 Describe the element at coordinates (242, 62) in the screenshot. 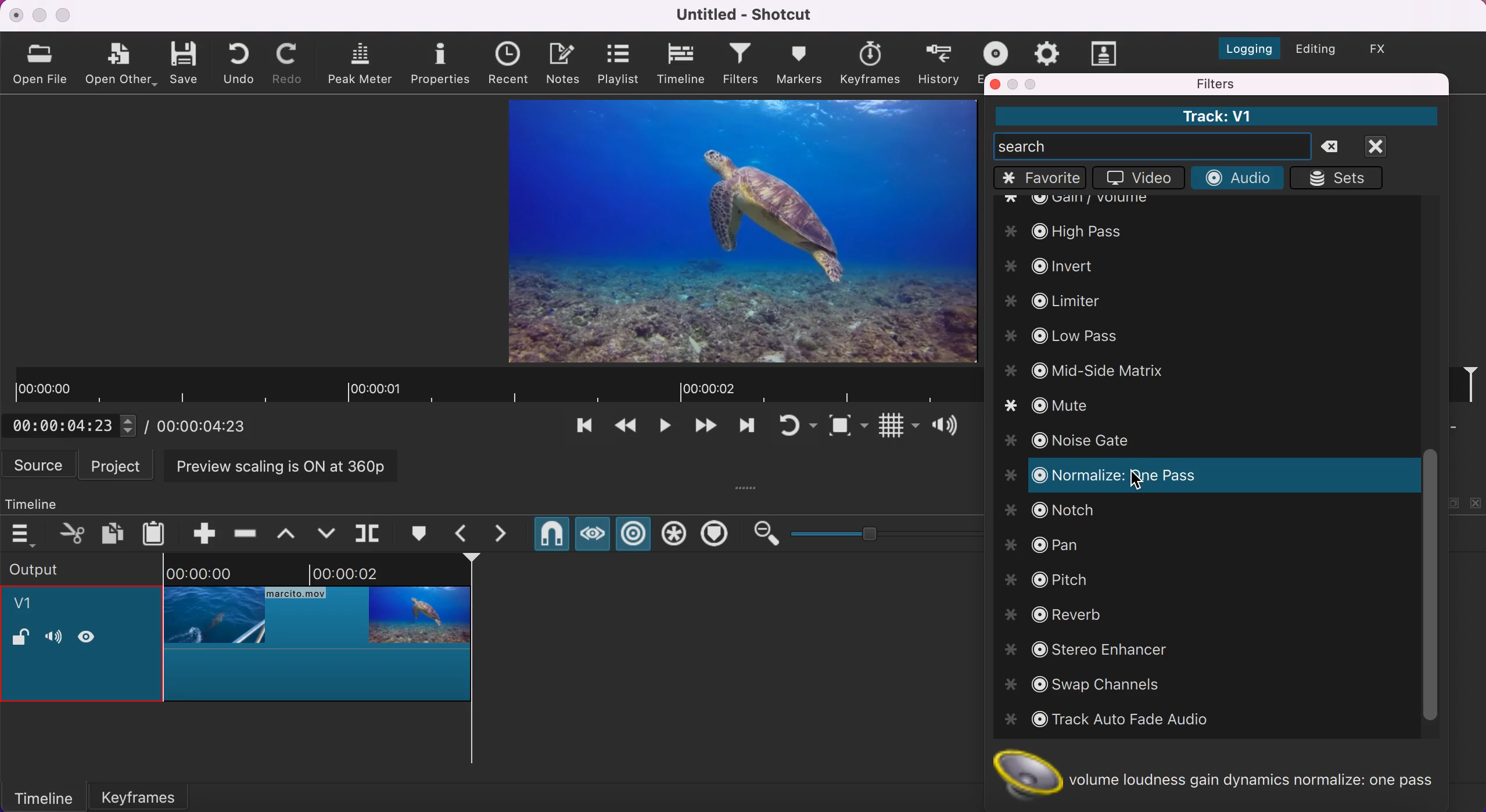

I see `undo` at that location.